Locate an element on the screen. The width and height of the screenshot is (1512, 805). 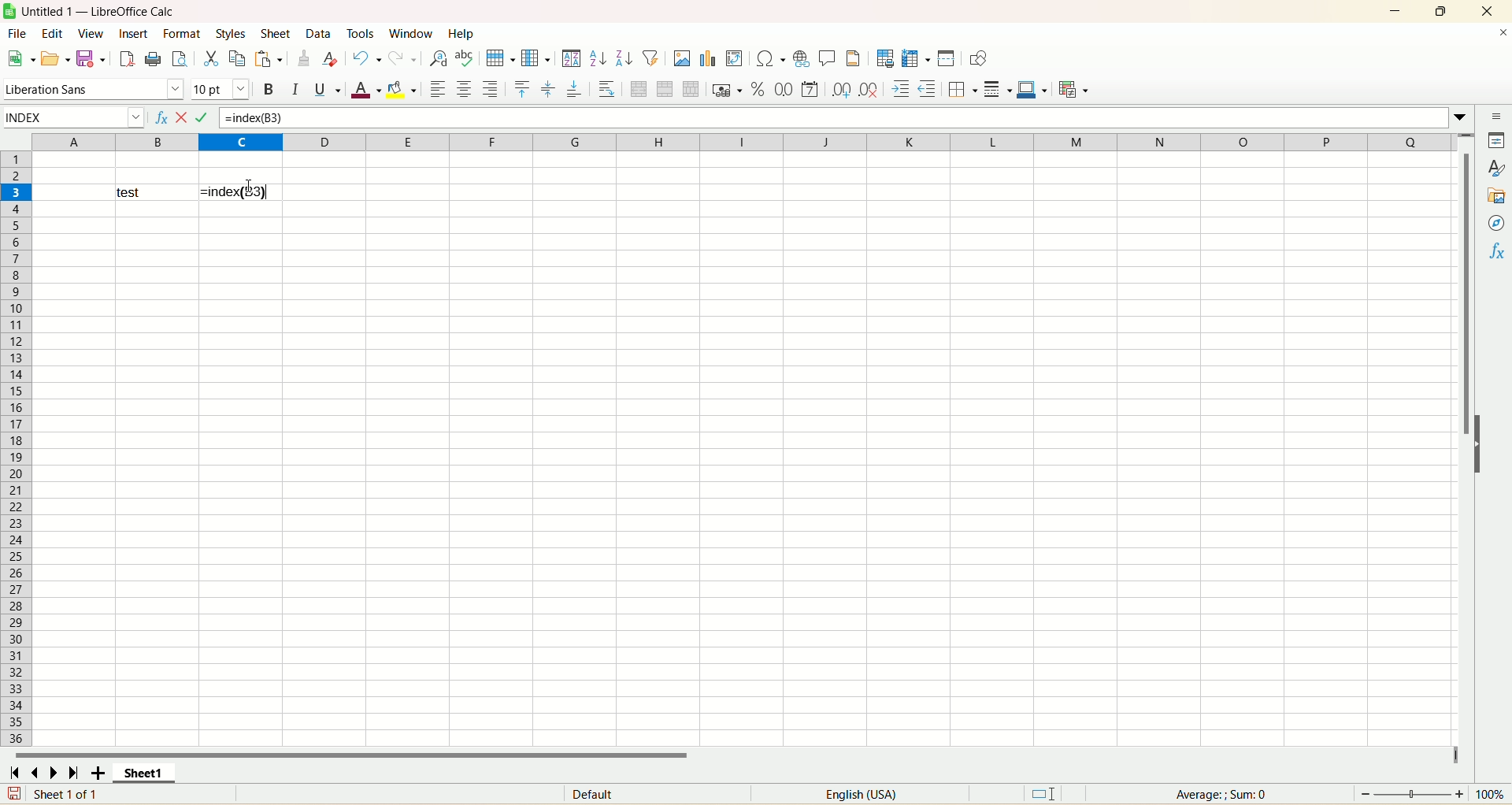
Sort descending is located at coordinates (624, 57).